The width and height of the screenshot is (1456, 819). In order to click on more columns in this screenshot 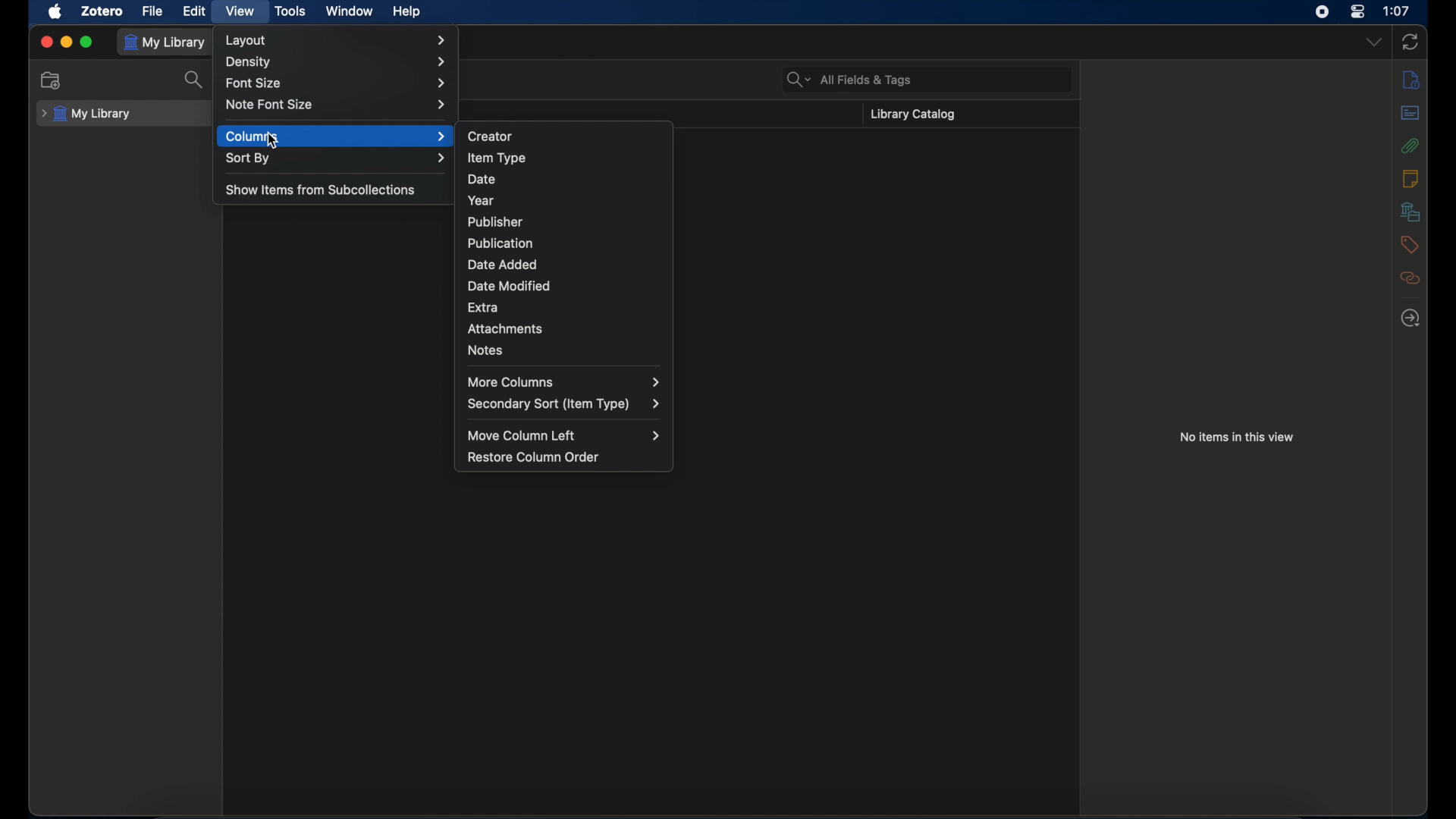, I will do `click(564, 383)`.